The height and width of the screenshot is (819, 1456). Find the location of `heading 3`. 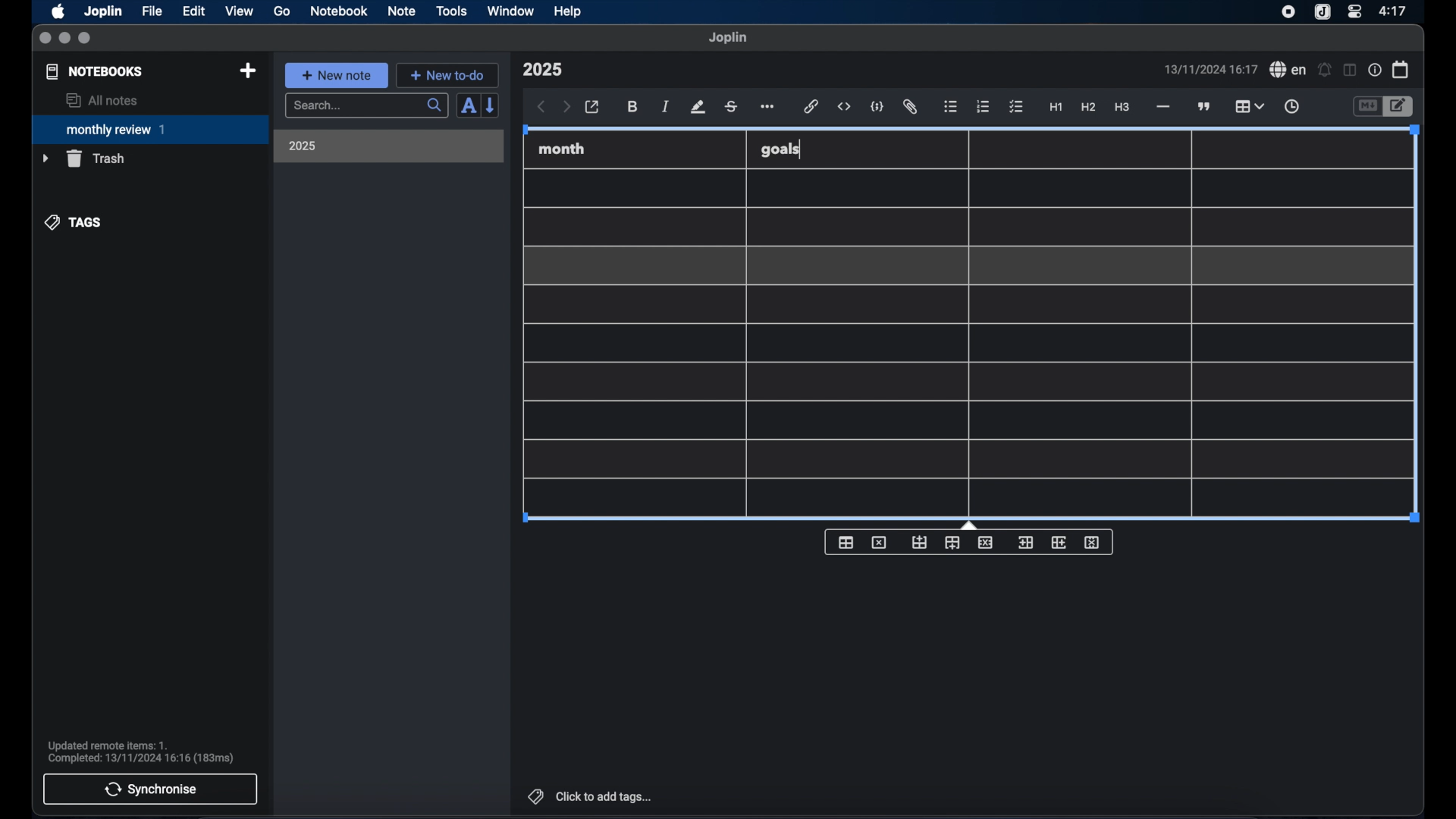

heading 3 is located at coordinates (1122, 108).